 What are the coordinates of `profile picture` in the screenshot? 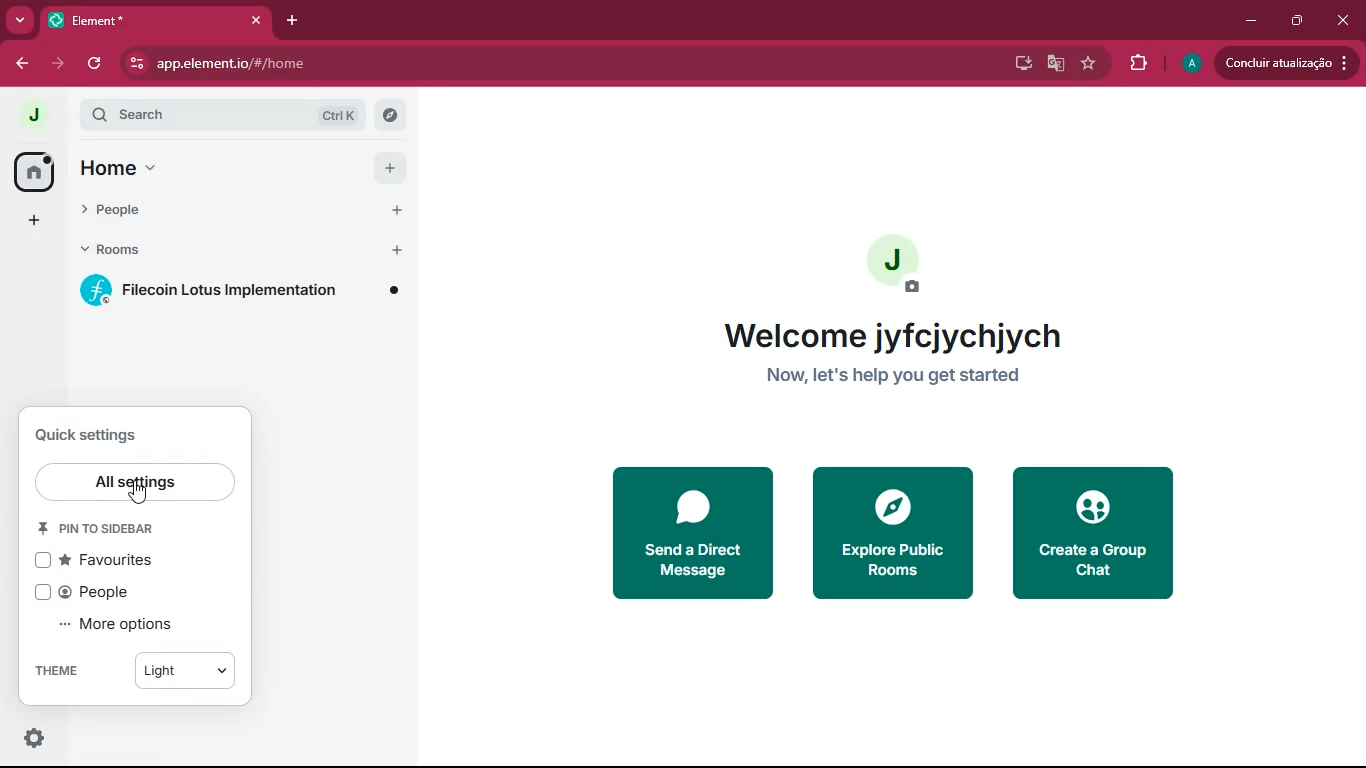 It's located at (33, 114).